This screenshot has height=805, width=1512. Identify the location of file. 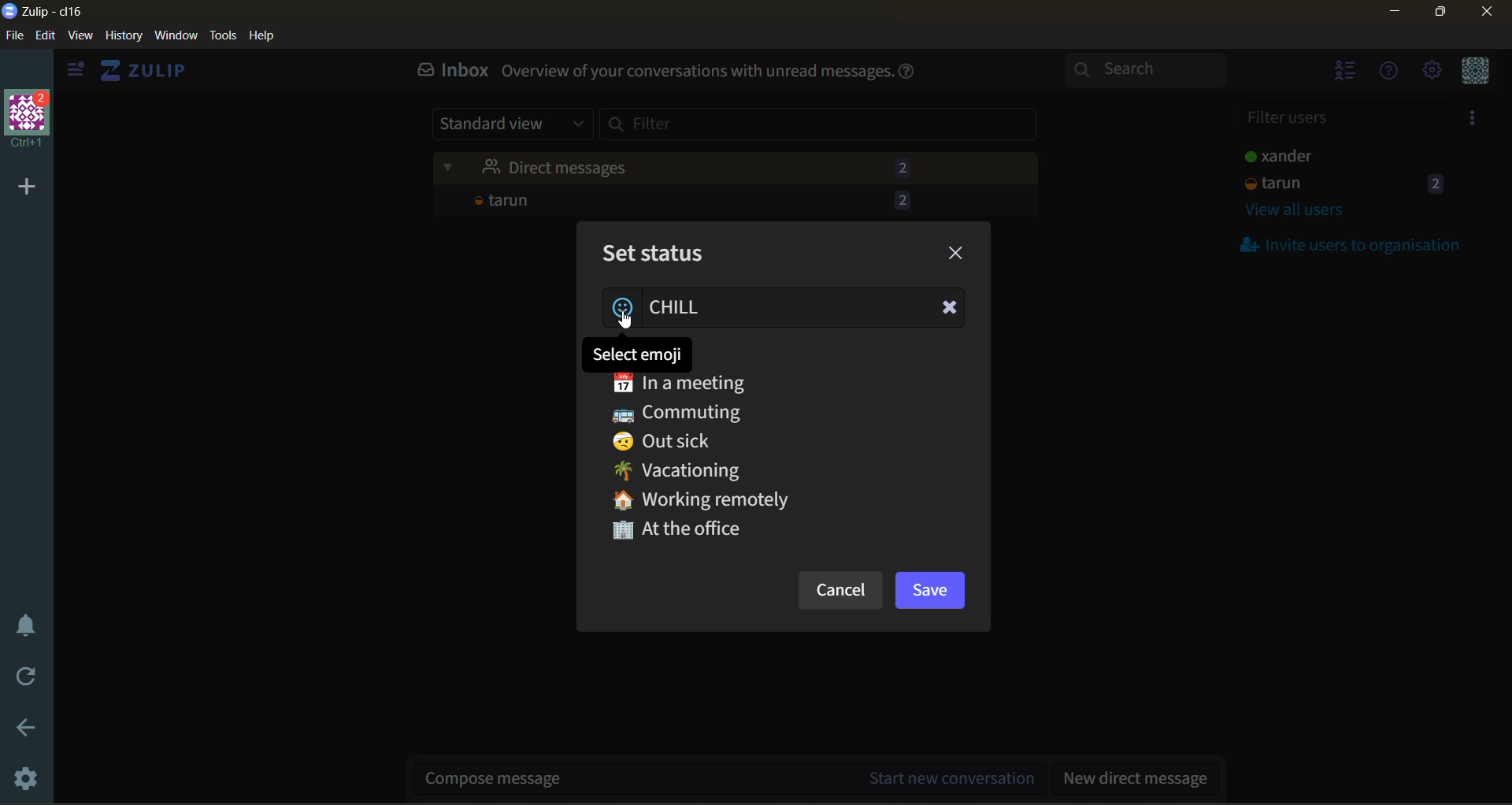
(20, 37).